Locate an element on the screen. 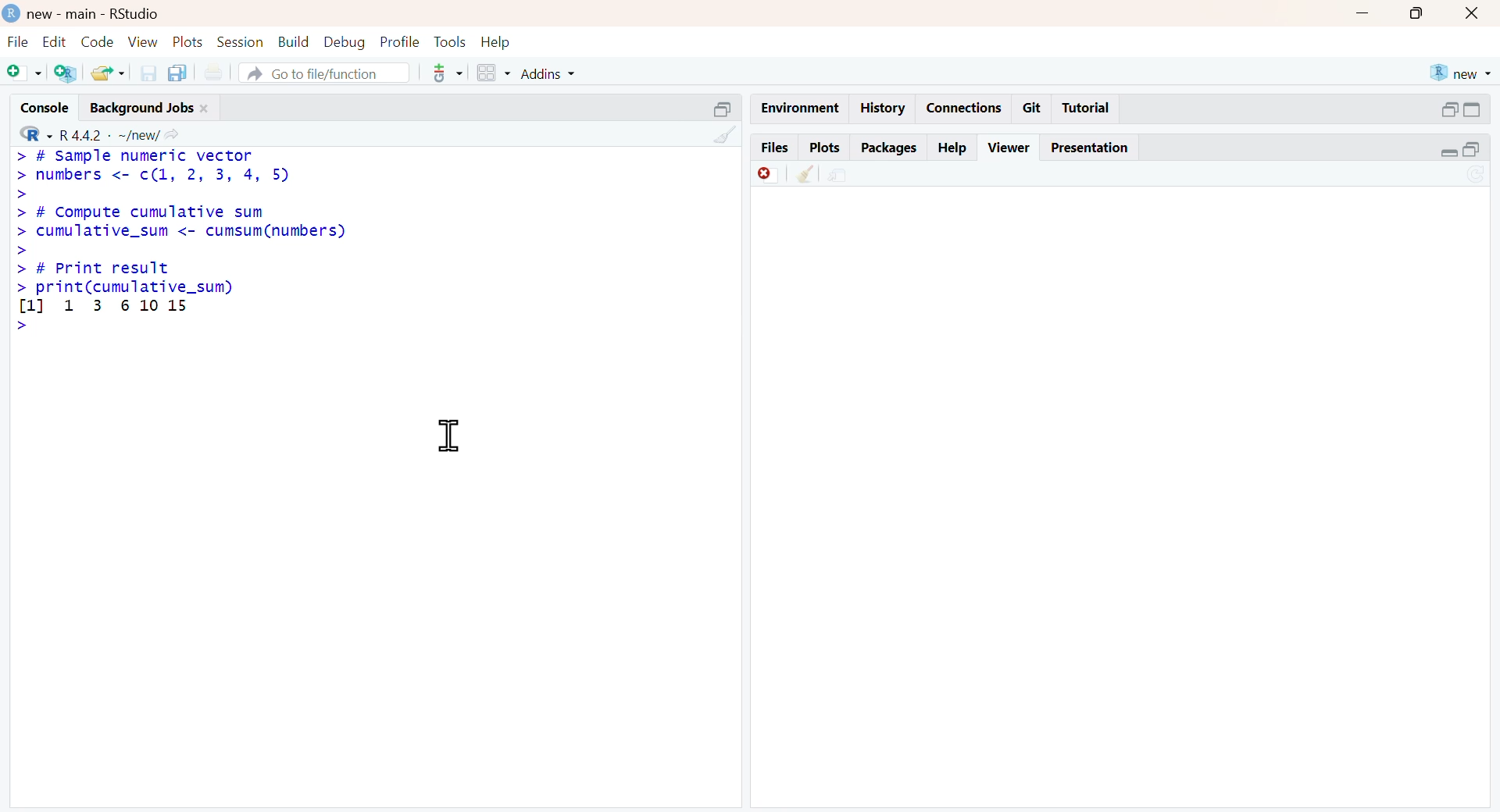  clear console is located at coordinates (806, 173).